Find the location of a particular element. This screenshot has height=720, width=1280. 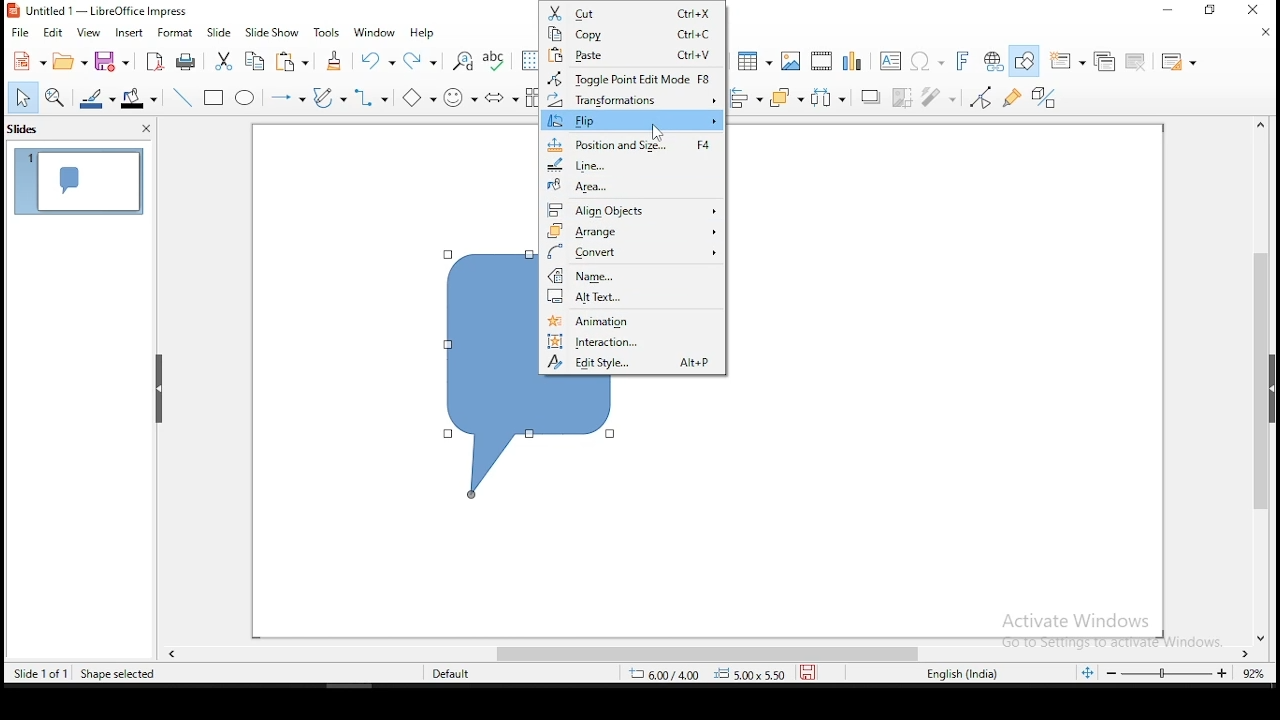

filter is located at coordinates (940, 97).